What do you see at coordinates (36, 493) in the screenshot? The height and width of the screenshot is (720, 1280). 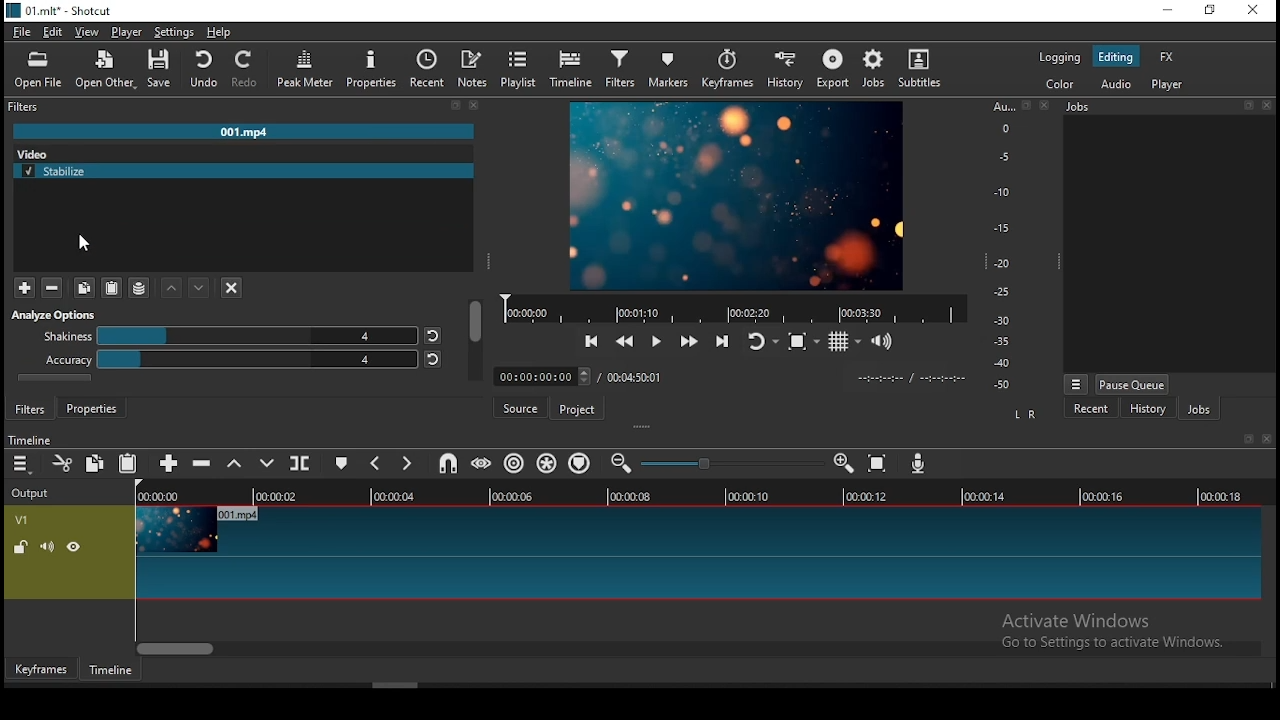 I see `Output` at bounding box center [36, 493].